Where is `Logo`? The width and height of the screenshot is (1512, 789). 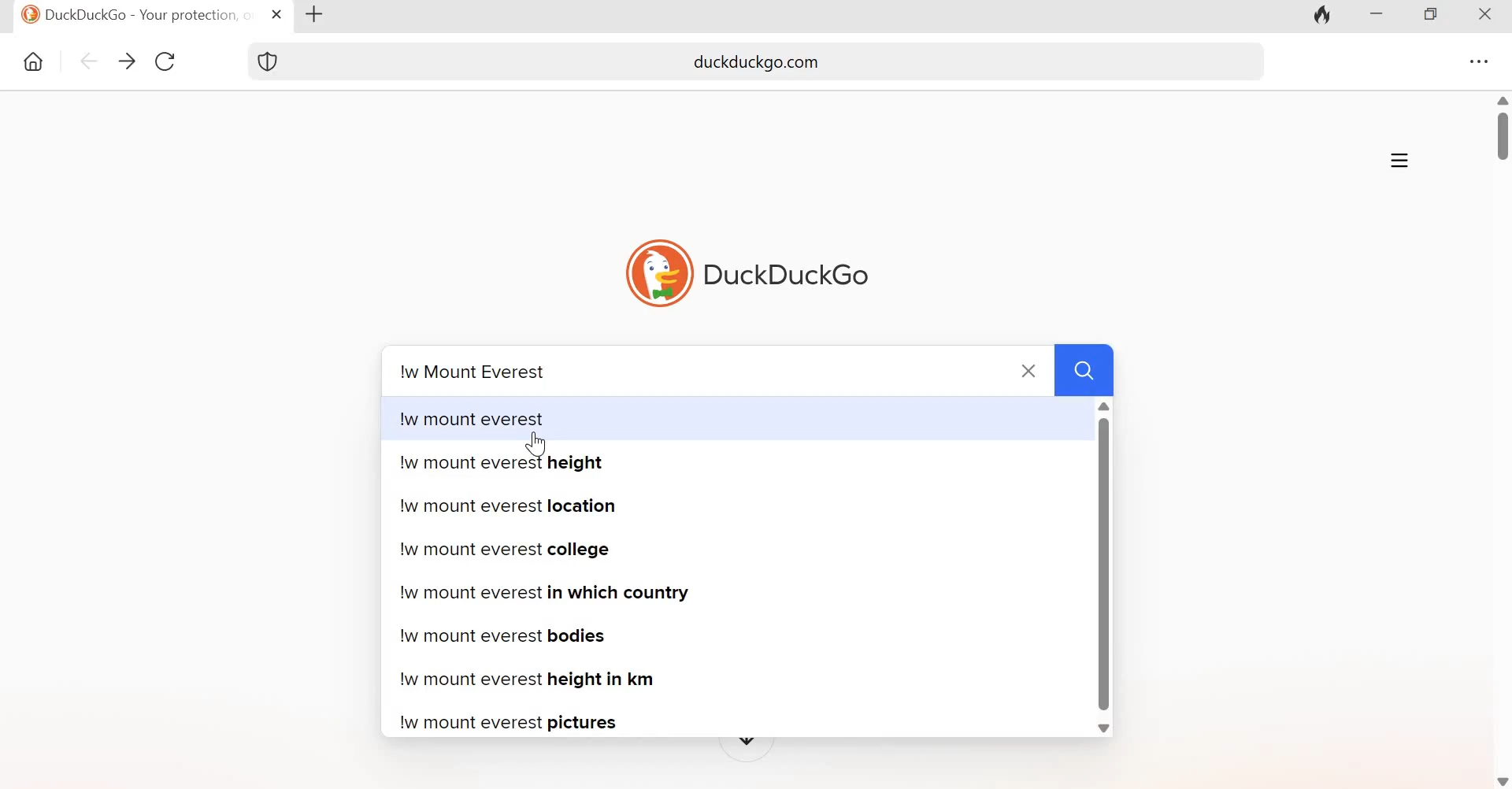
Logo is located at coordinates (656, 272).